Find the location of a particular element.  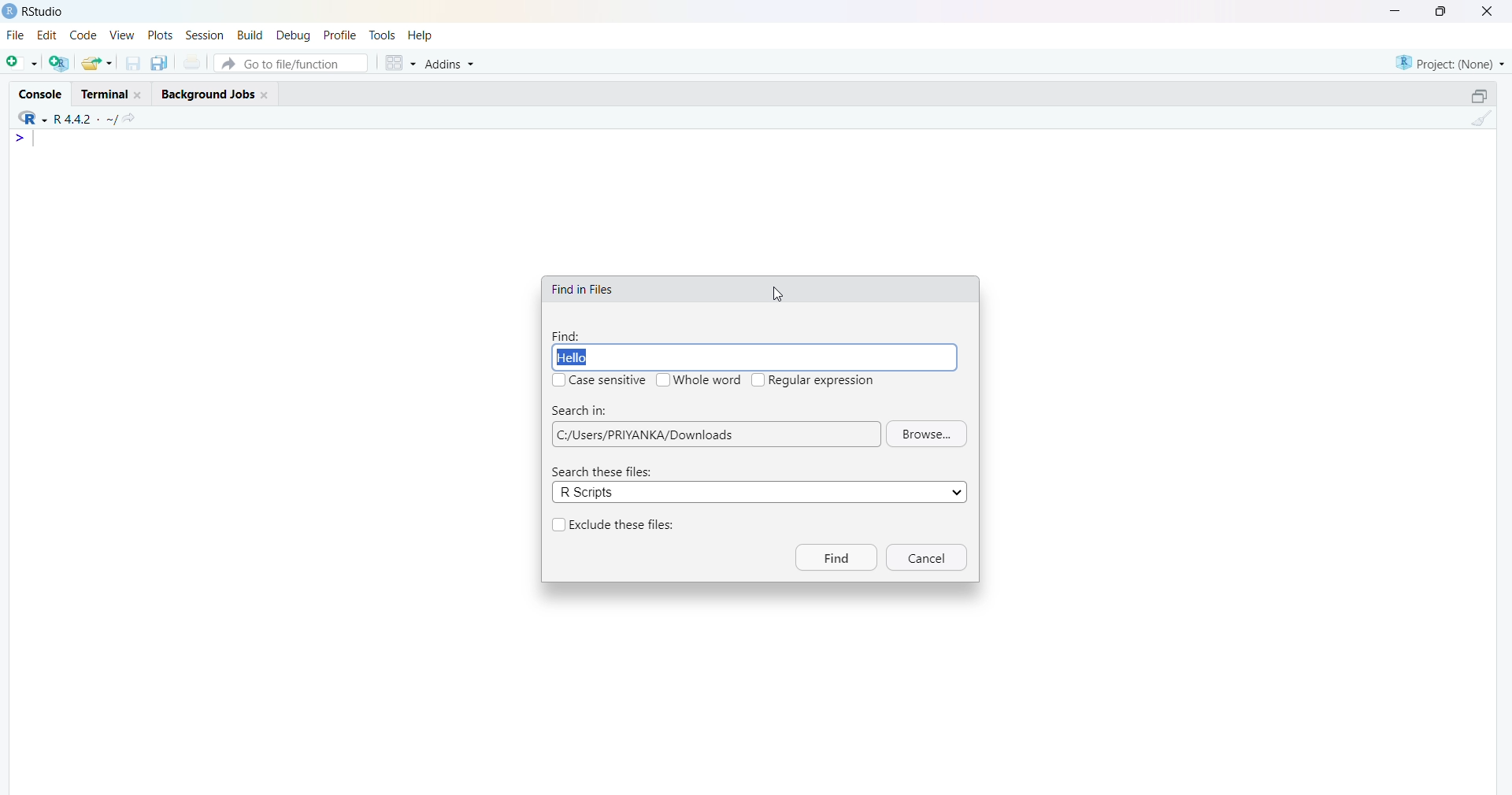

debug is located at coordinates (295, 35).